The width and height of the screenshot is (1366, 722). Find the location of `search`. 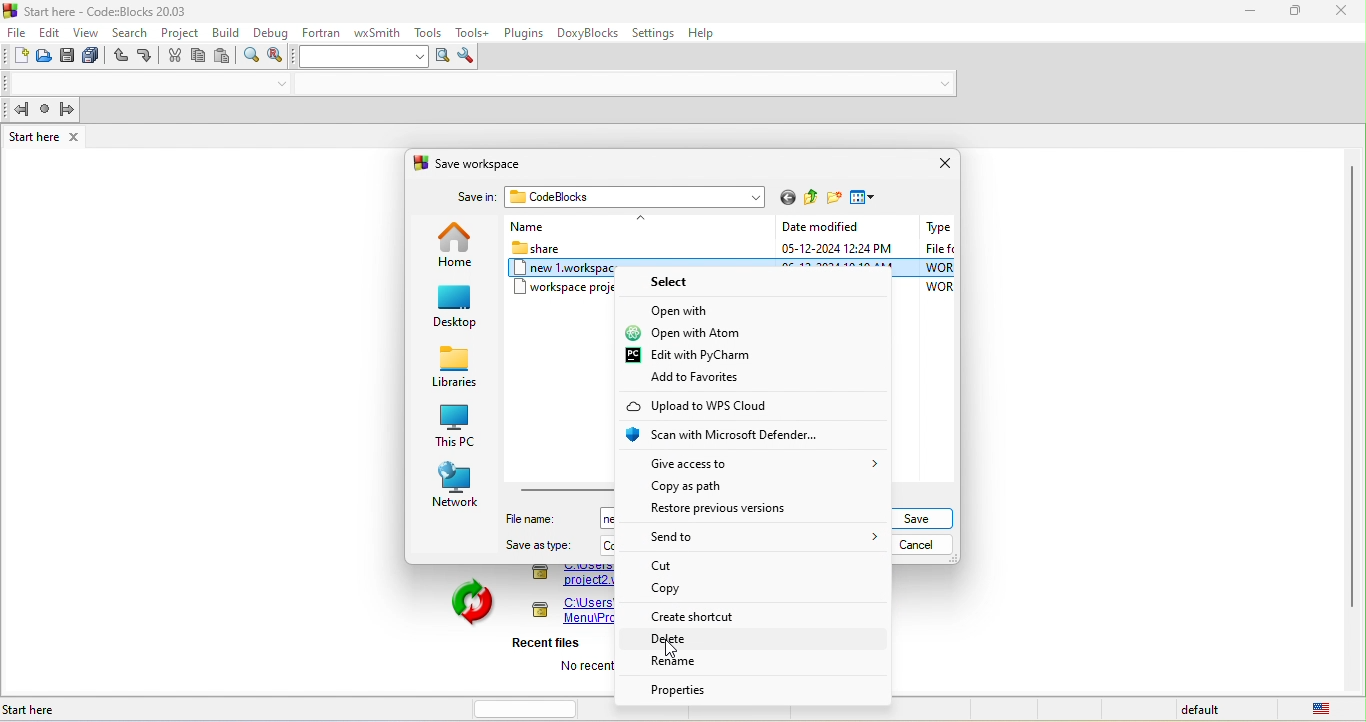

search is located at coordinates (133, 32).